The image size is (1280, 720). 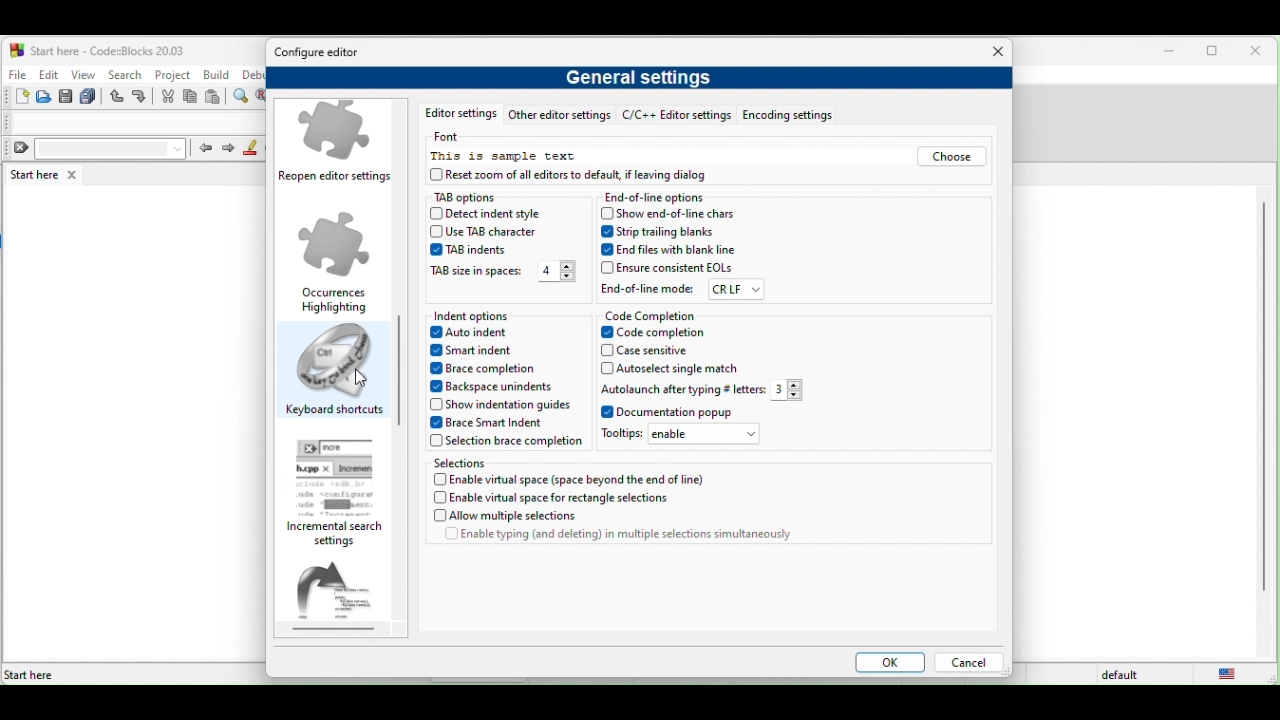 I want to click on crlf, so click(x=736, y=290).